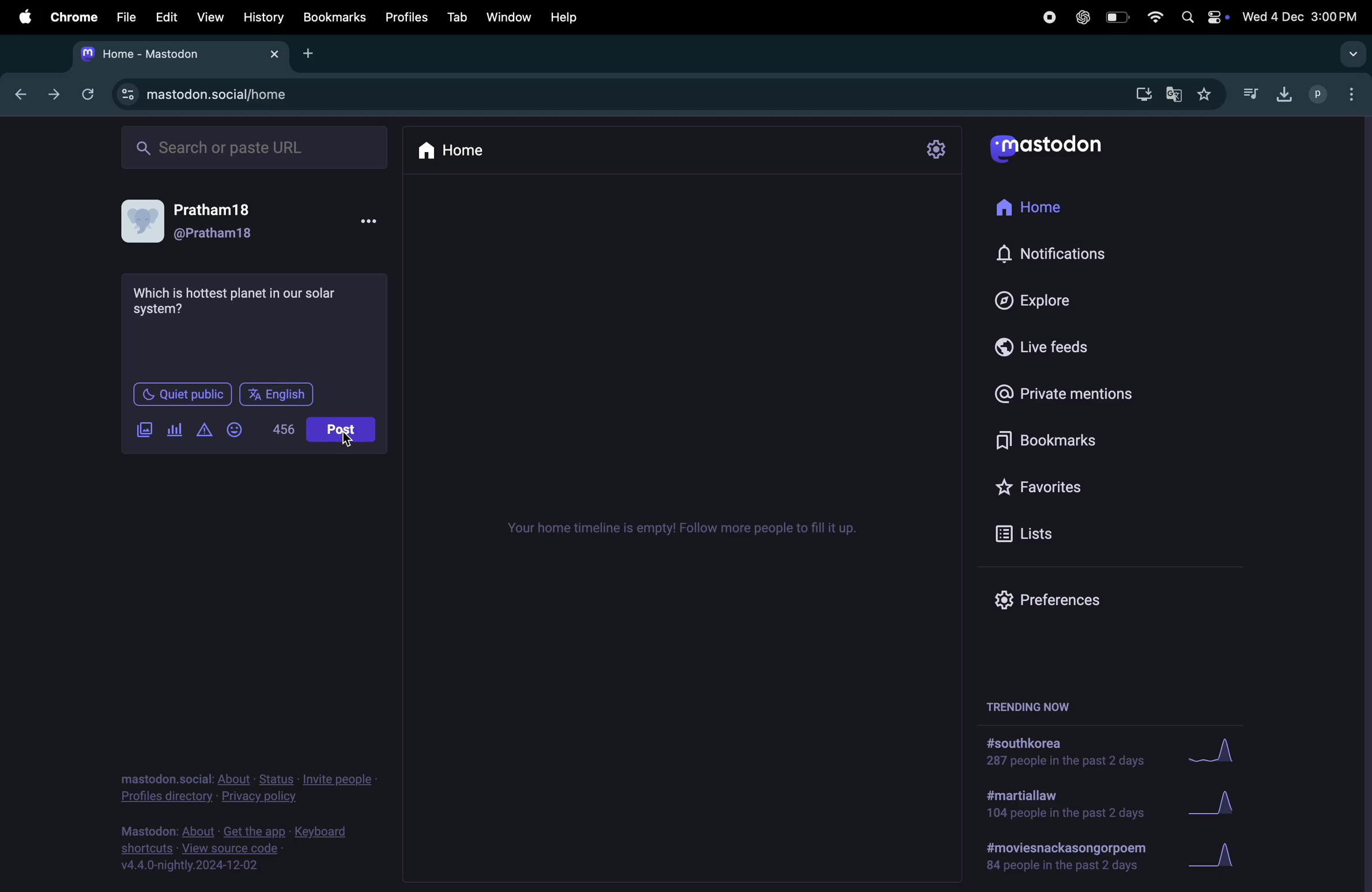  Describe the element at coordinates (122, 17) in the screenshot. I see `filw` at that location.